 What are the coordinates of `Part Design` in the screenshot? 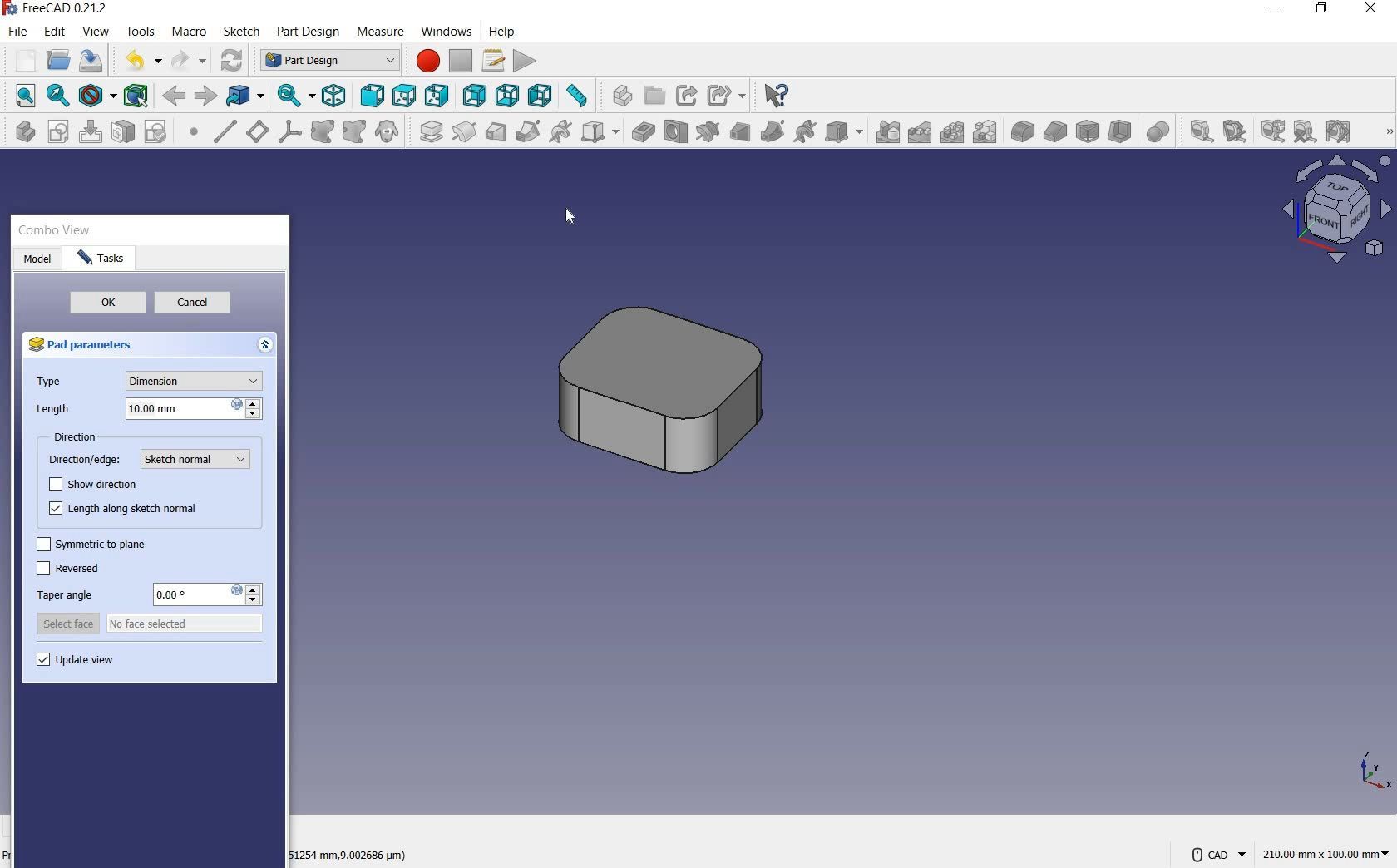 It's located at (312, 32).